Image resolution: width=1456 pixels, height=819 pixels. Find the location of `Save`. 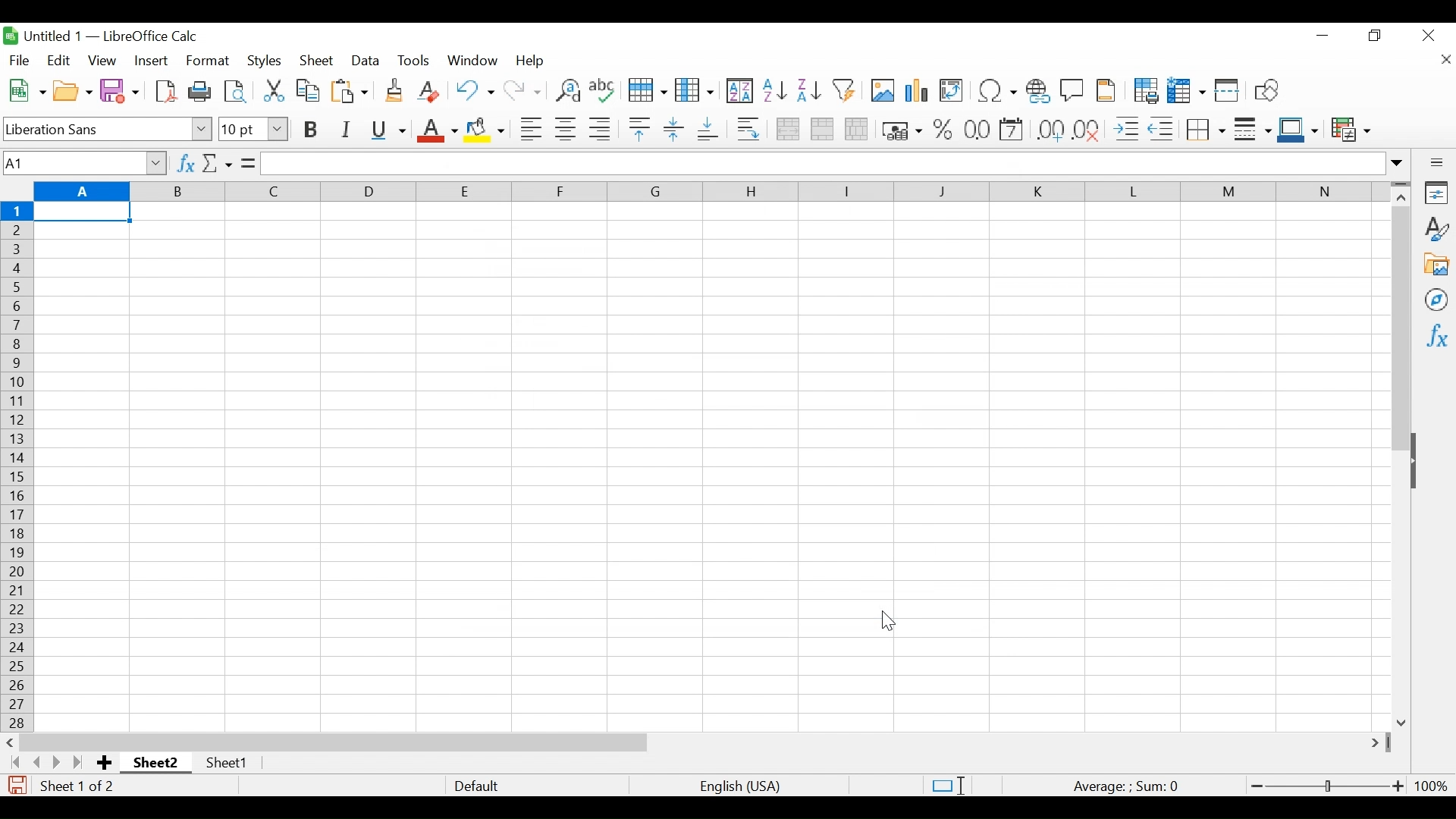

Save is located at coordinates (119, 89).